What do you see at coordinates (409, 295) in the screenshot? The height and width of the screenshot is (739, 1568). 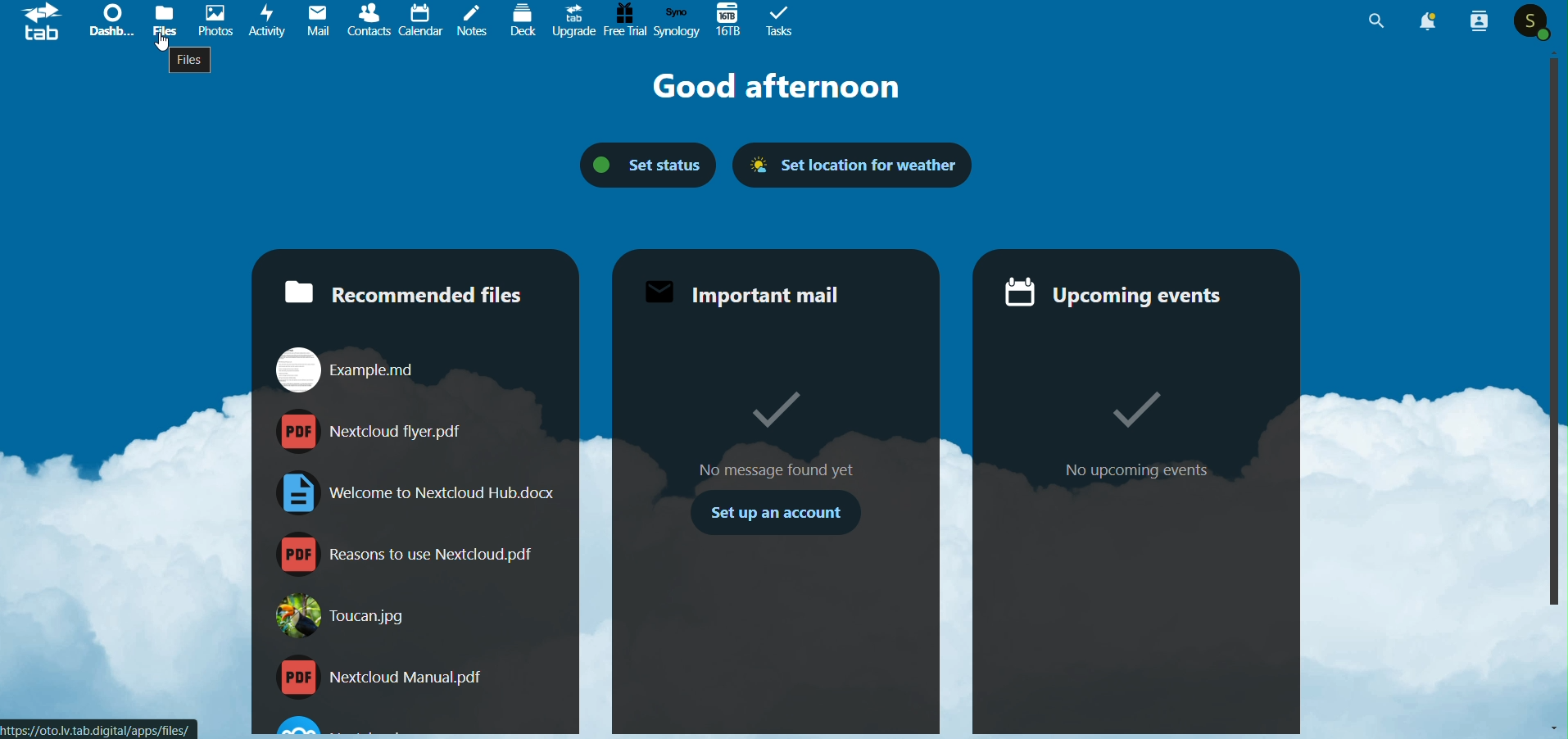 I see `Recommended File` at bounding box center [409, 295].